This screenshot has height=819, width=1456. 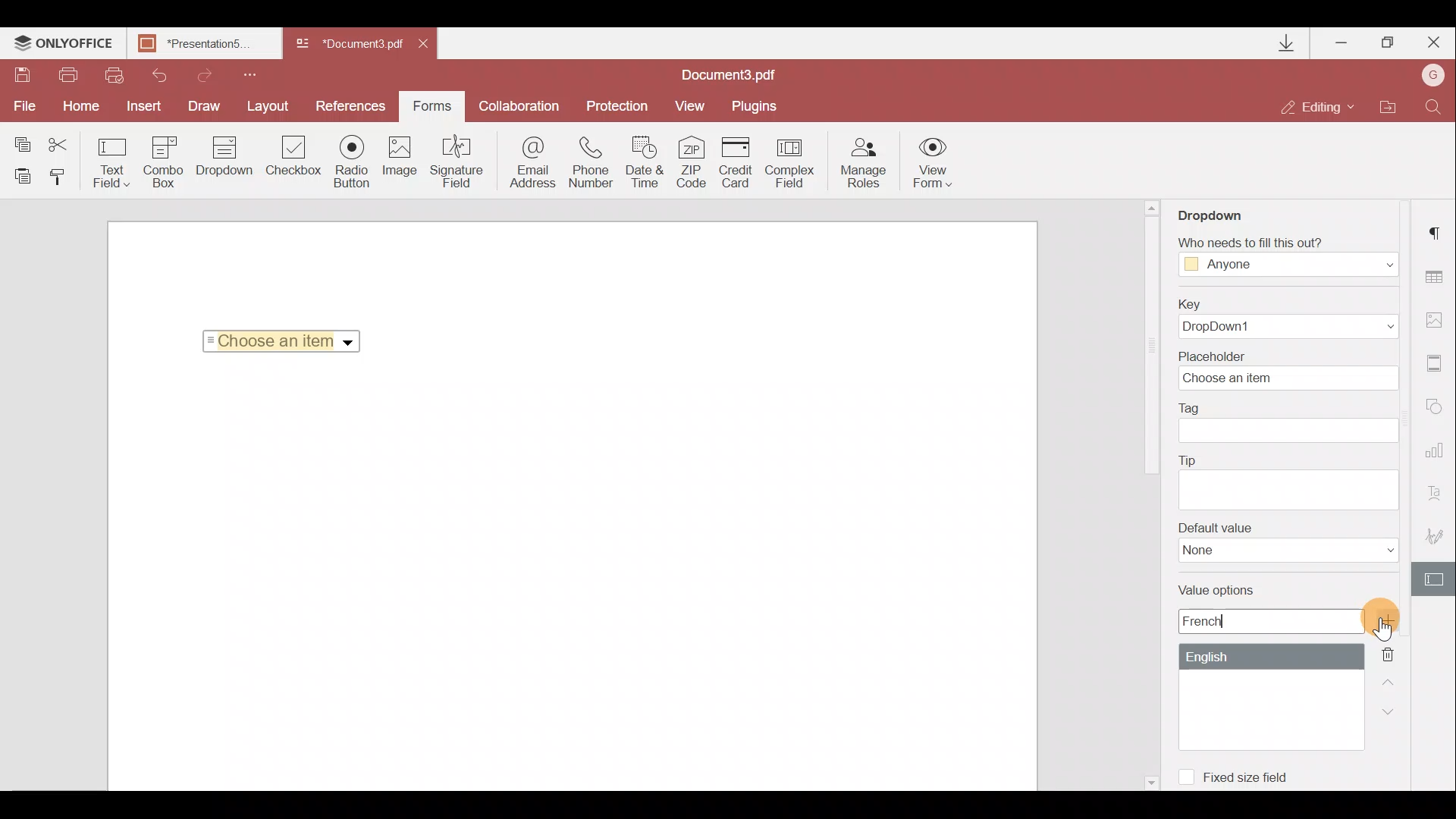 I want to click on View, so click(x=690, y=105).